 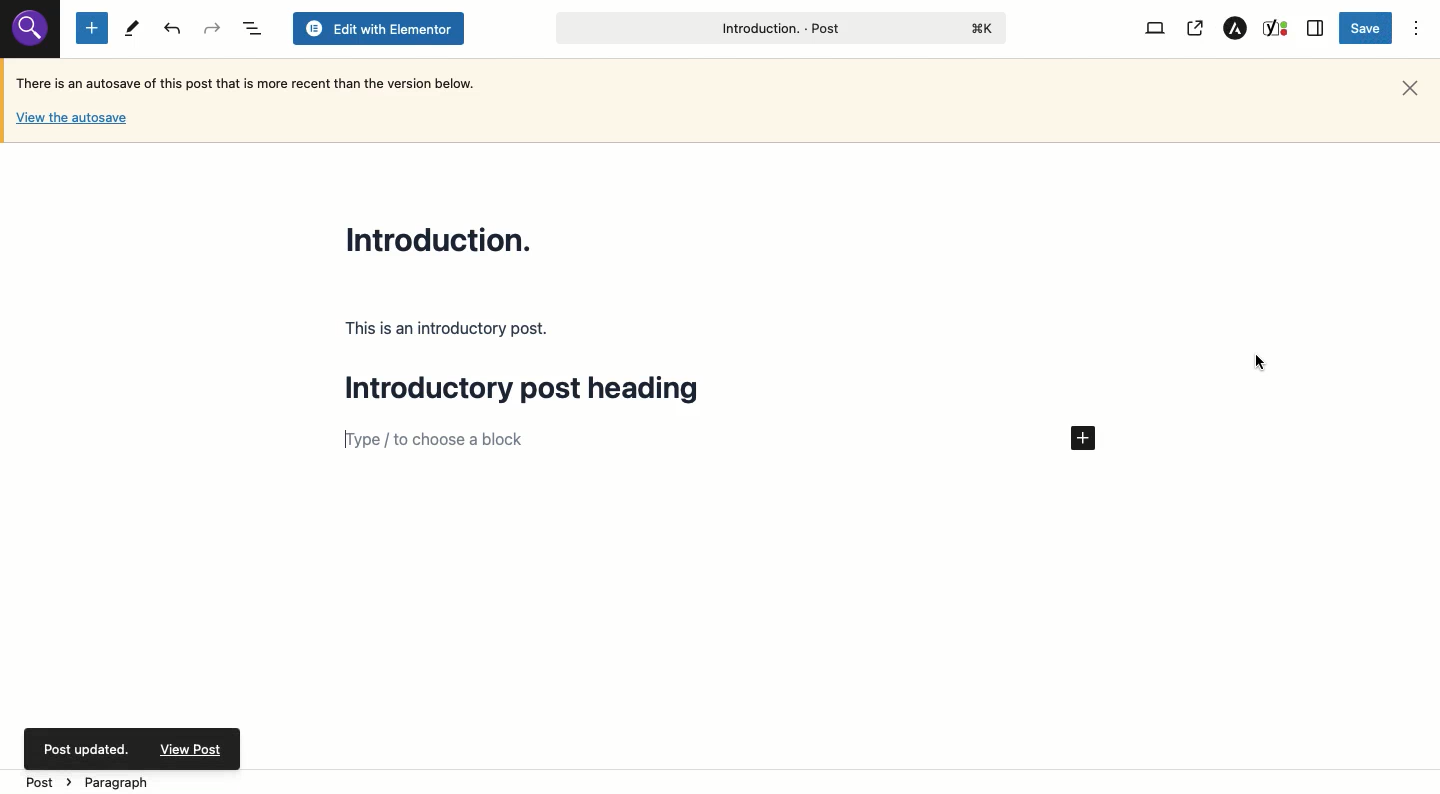 What do you see at coordinates (537, 392) in the screenshot?
I see `Introductory post heading` at bounding box center [537, 392].